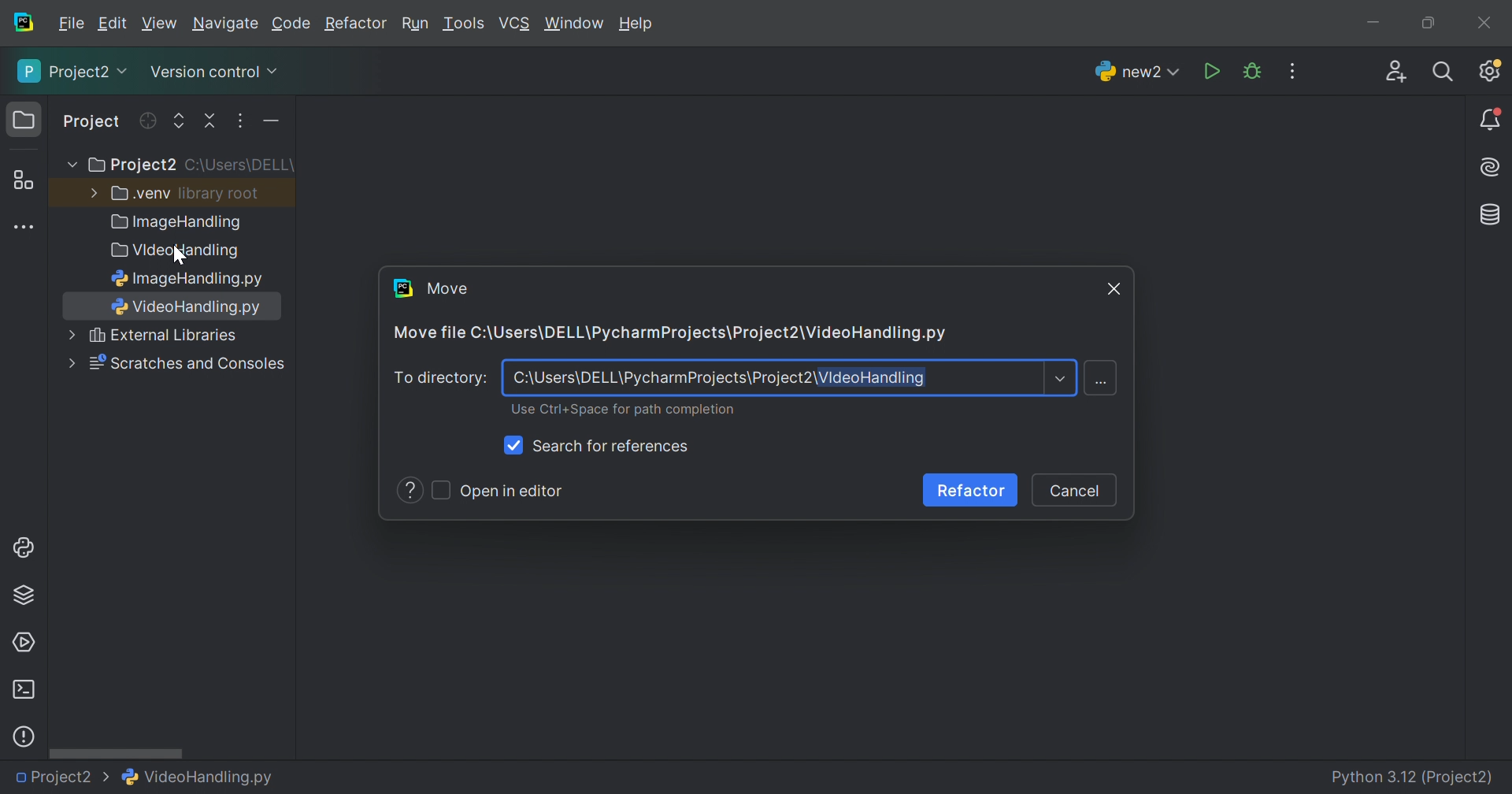  Describe the element at coordinates (70, 334) in the screenshot. I see `More` at that location.